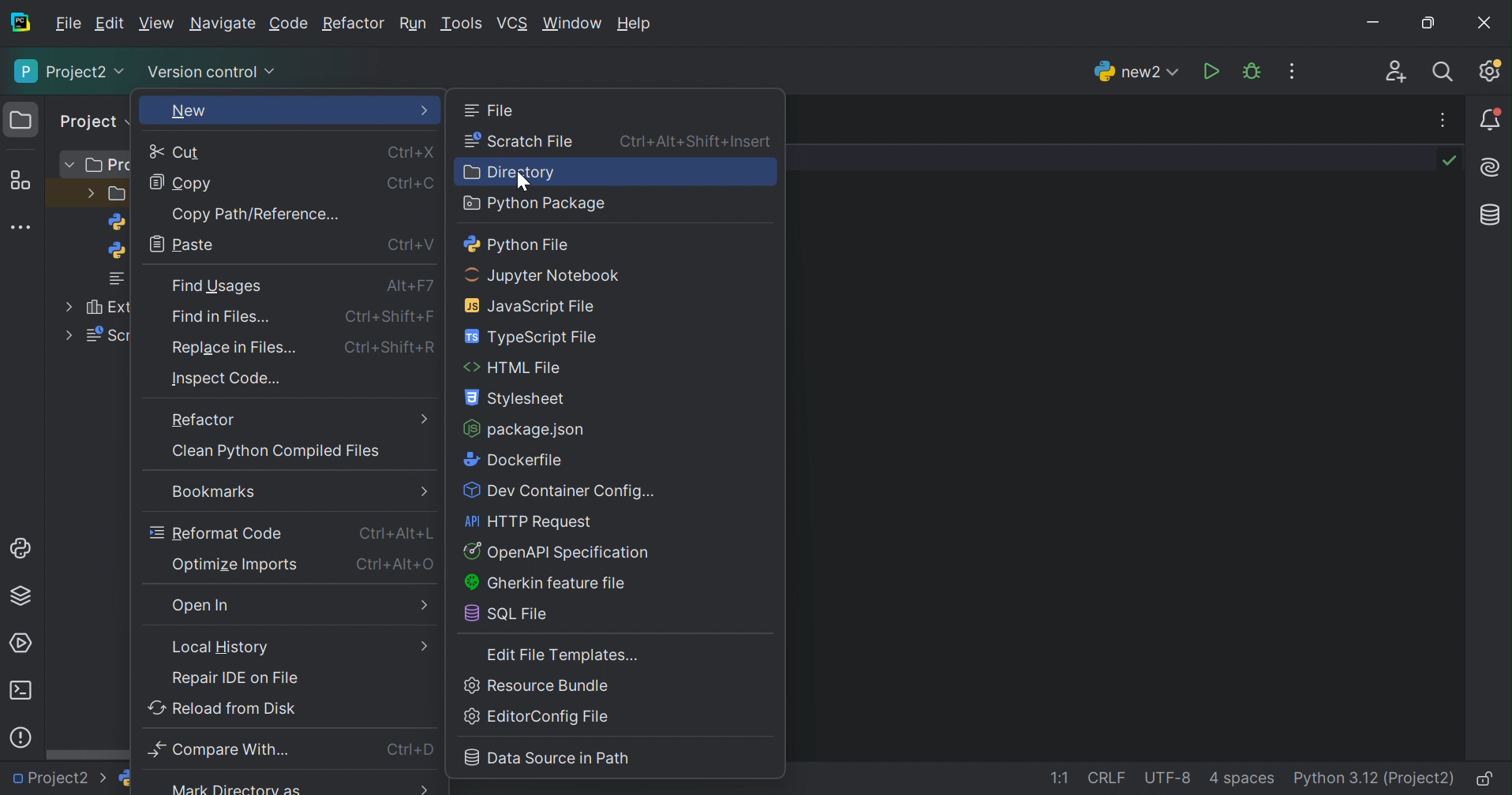  Describe the element at coordinates (20, 22) in the screenshot. I see `PyCharm icon` at that location.